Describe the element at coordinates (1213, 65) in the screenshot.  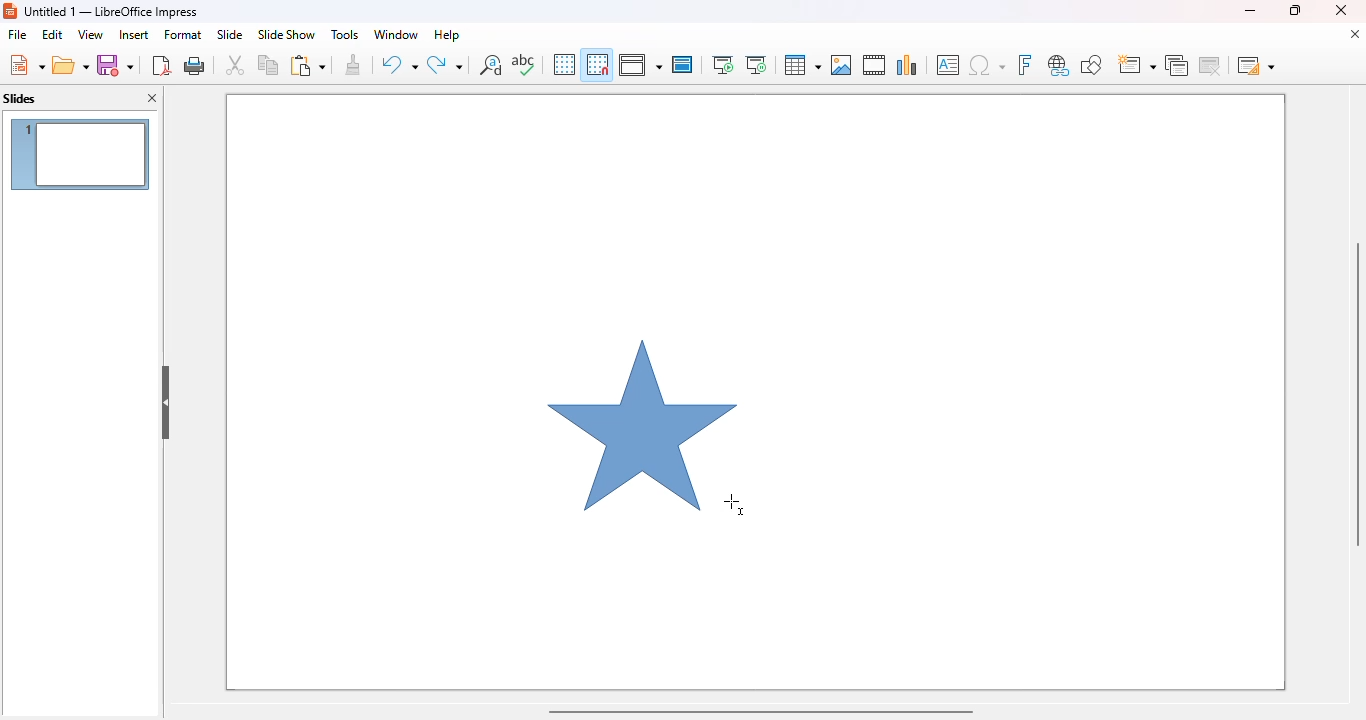
I see `delete slide` at that location.